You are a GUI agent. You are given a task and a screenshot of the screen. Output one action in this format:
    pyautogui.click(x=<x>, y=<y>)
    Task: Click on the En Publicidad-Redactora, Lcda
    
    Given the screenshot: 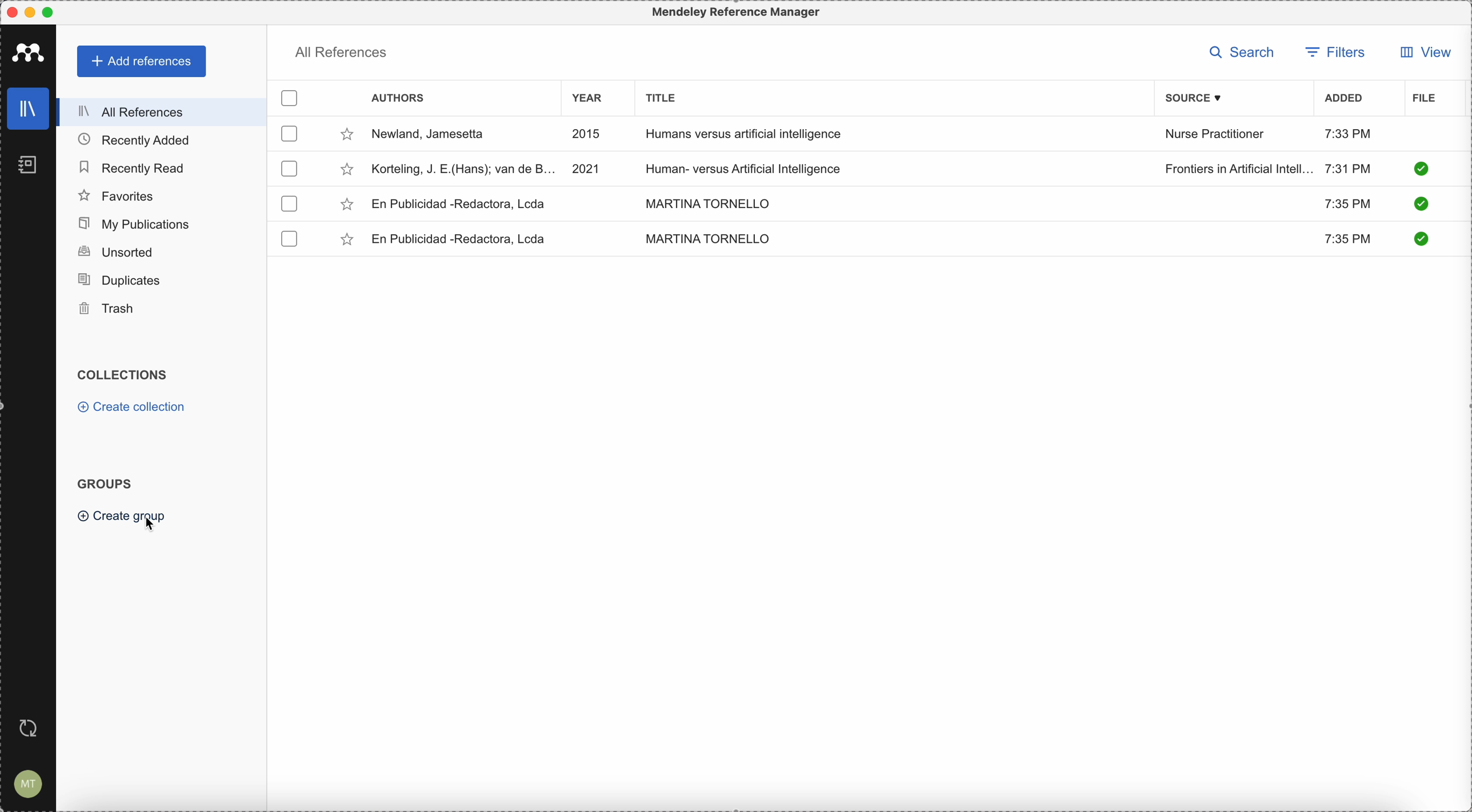 What is the action you would take?
    pyautogui.click(x=463, y=239)
    